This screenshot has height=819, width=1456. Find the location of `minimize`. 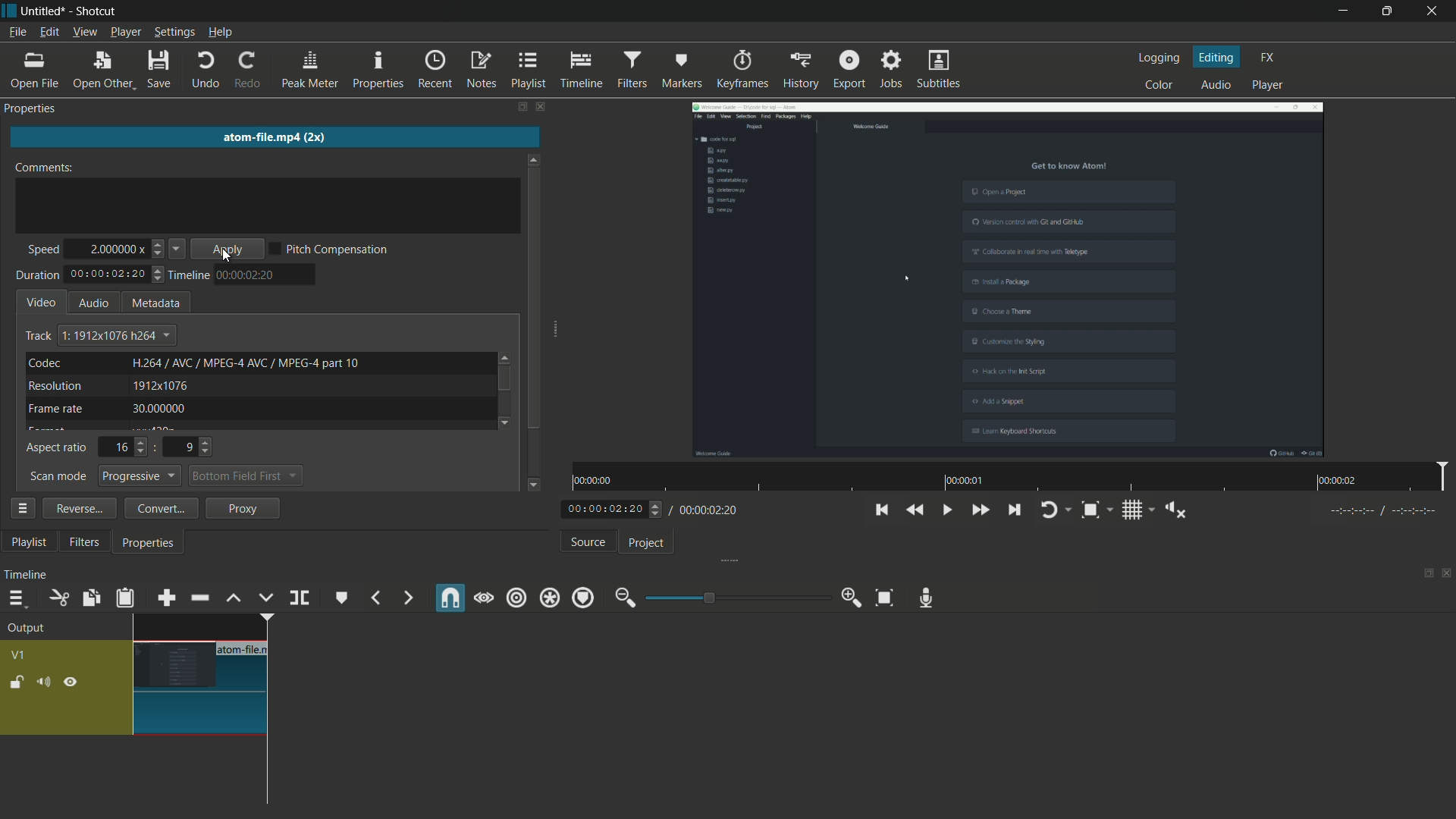

minimize is located at coordinates (1345, 11).